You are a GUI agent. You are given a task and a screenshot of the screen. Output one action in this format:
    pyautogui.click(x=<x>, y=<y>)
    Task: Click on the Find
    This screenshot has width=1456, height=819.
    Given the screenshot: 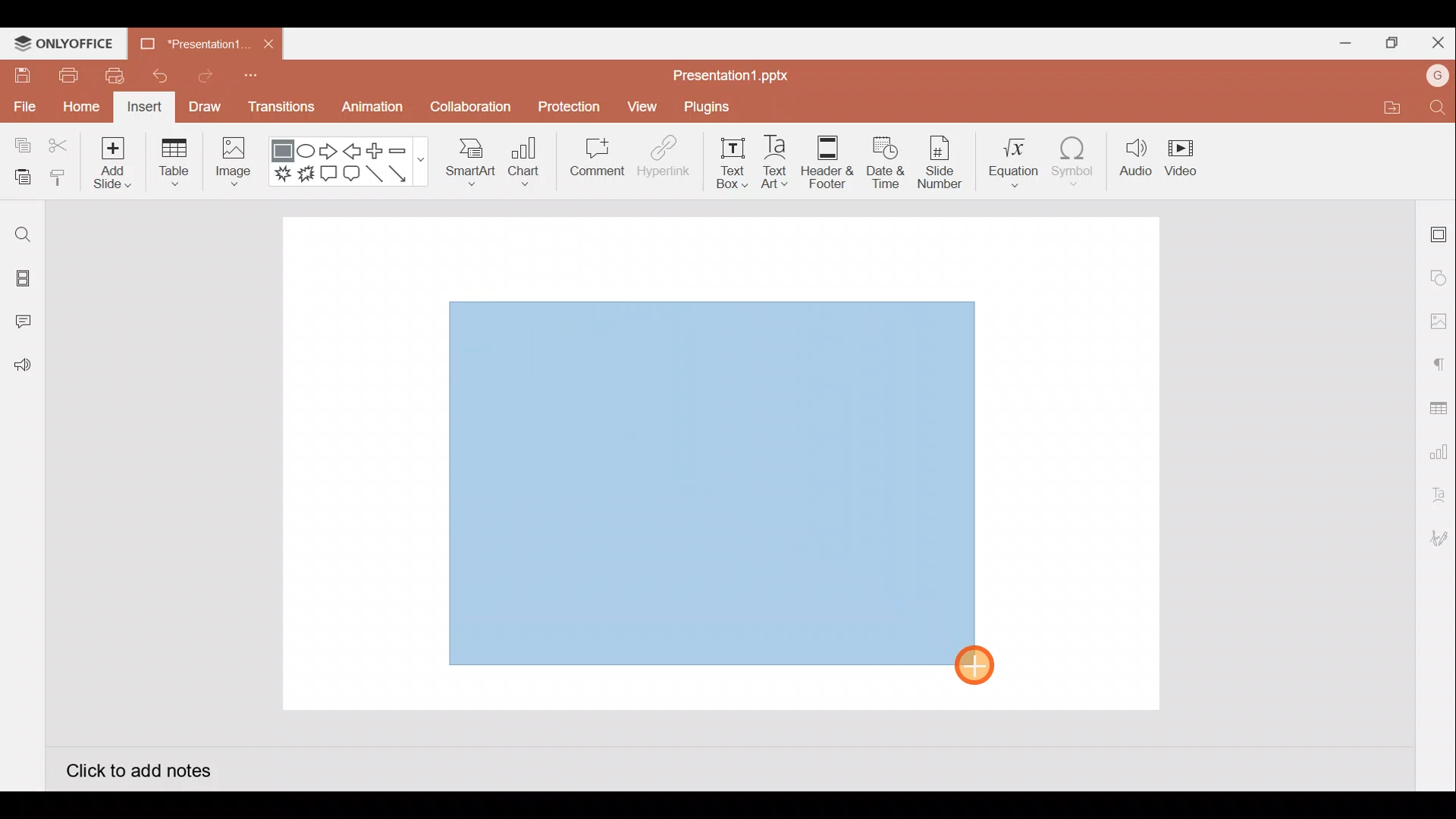 What is the action you would take?
    pyautogui.click(x=23, y=234)
    